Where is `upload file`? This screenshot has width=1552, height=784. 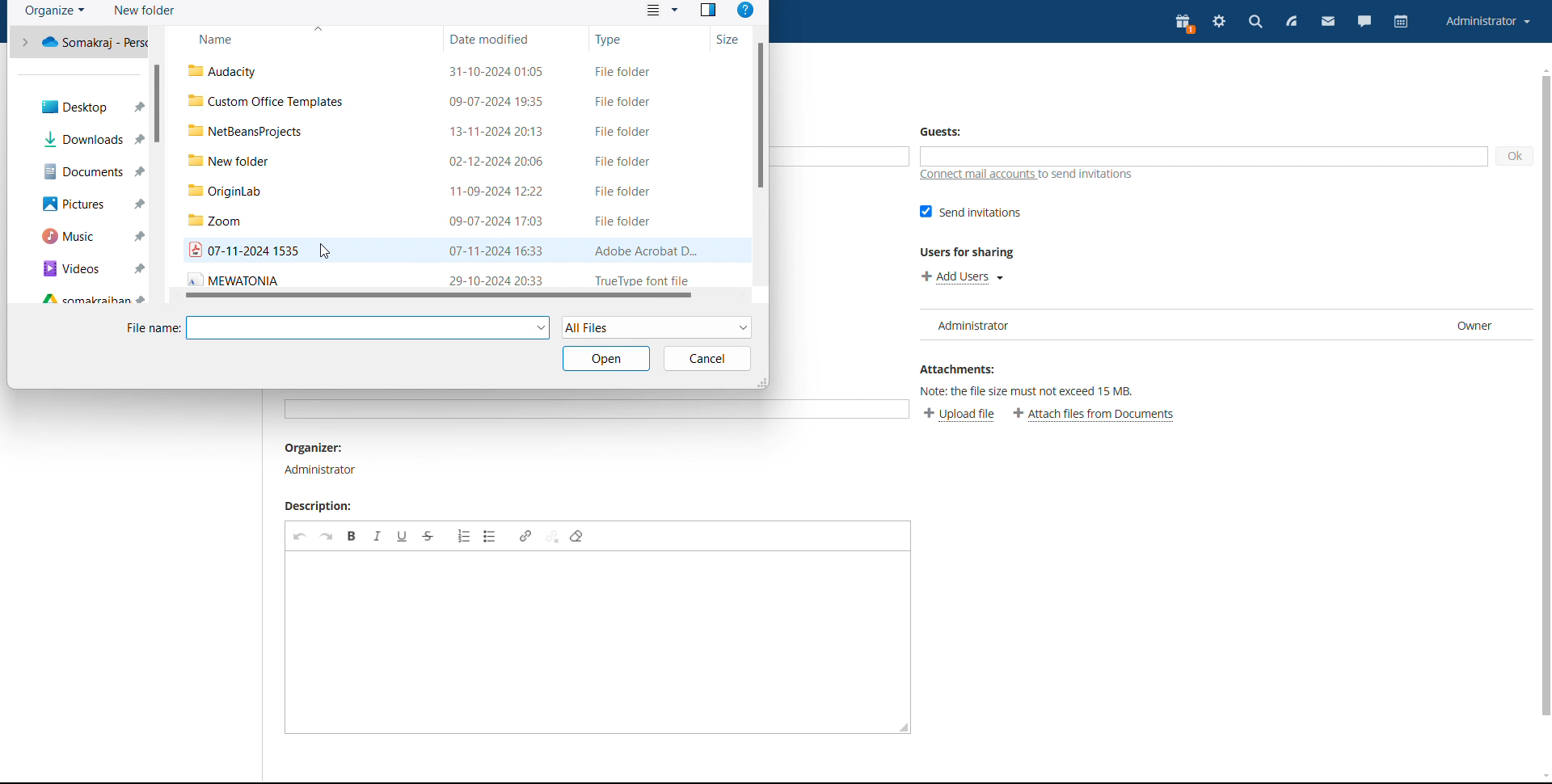
upload file is located at coordinates (959, 415).